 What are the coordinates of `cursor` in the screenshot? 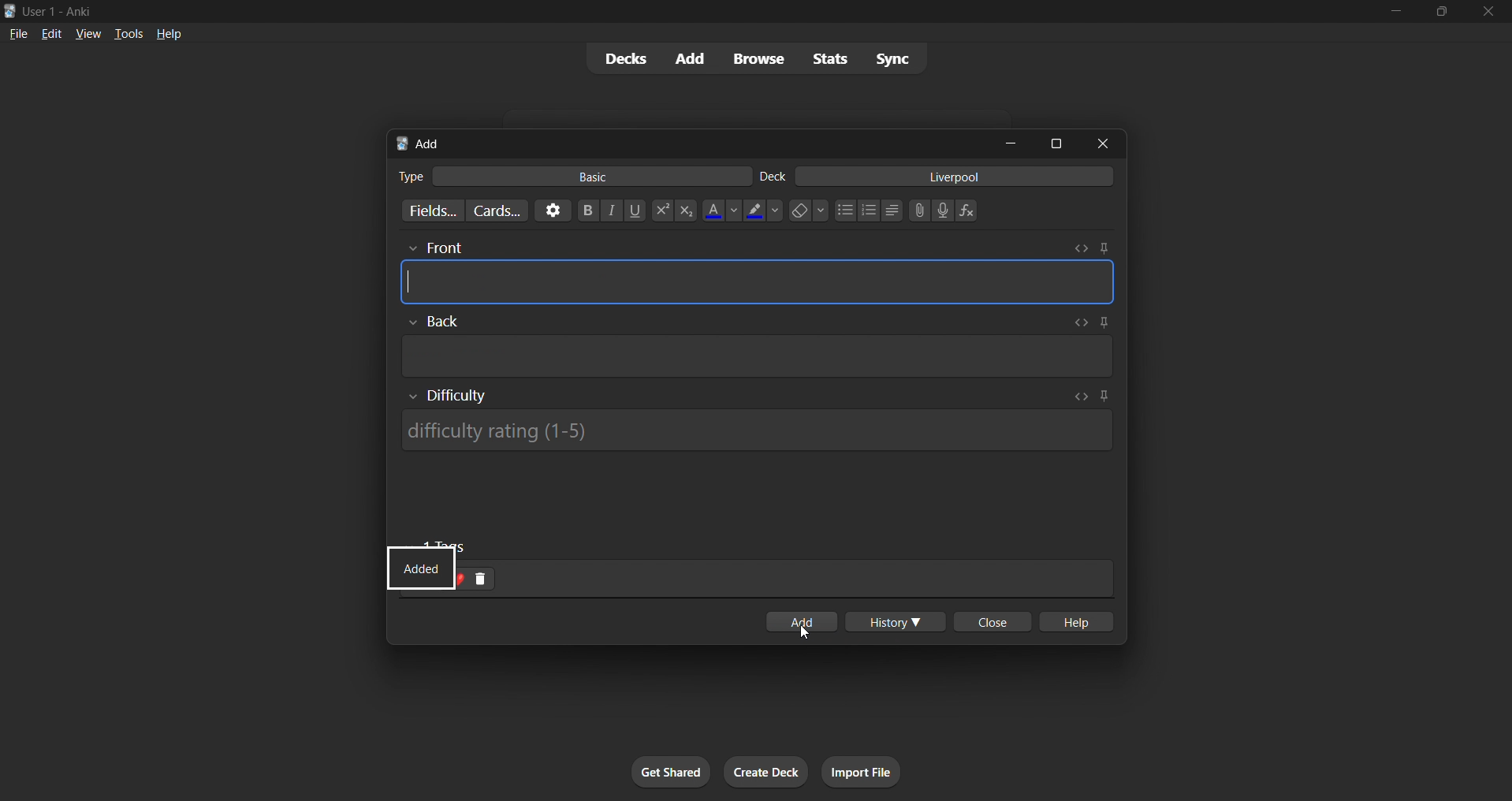 It's located at (807, 635).